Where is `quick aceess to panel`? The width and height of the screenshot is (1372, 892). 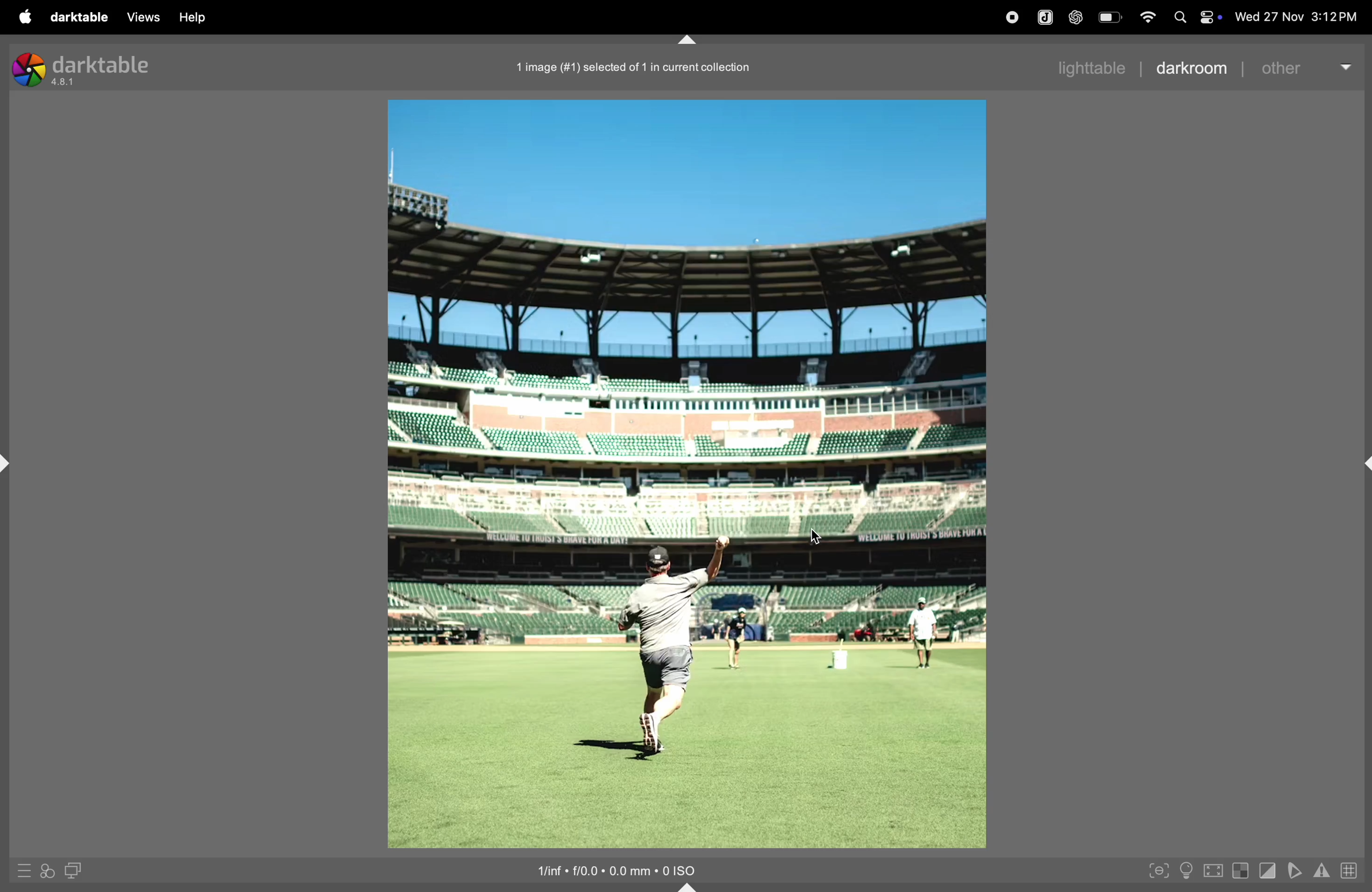
quick aceess to panel is located at coordinates (25, 870).